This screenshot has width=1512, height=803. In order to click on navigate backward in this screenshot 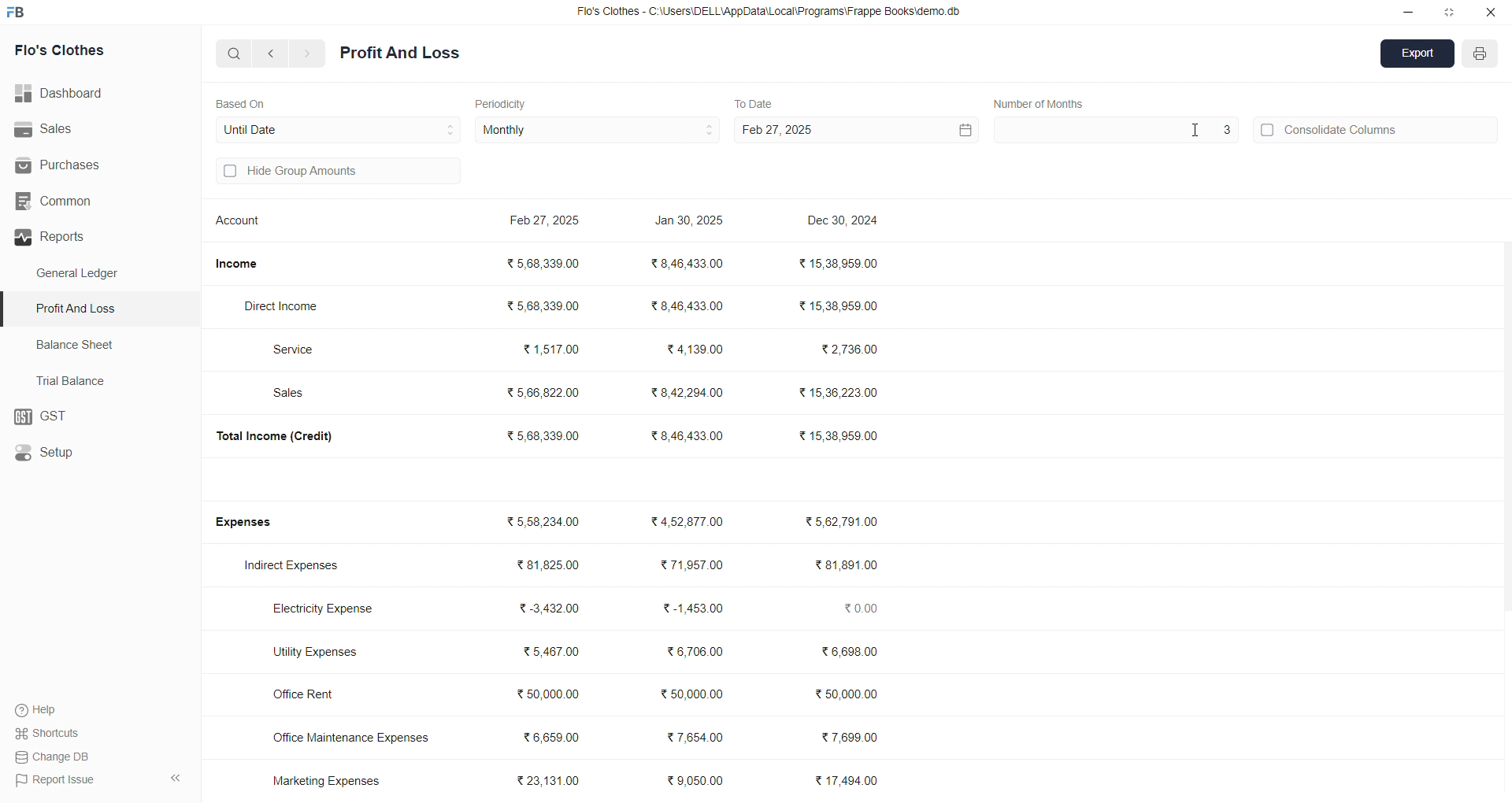, I will do `click(273, 53)`.